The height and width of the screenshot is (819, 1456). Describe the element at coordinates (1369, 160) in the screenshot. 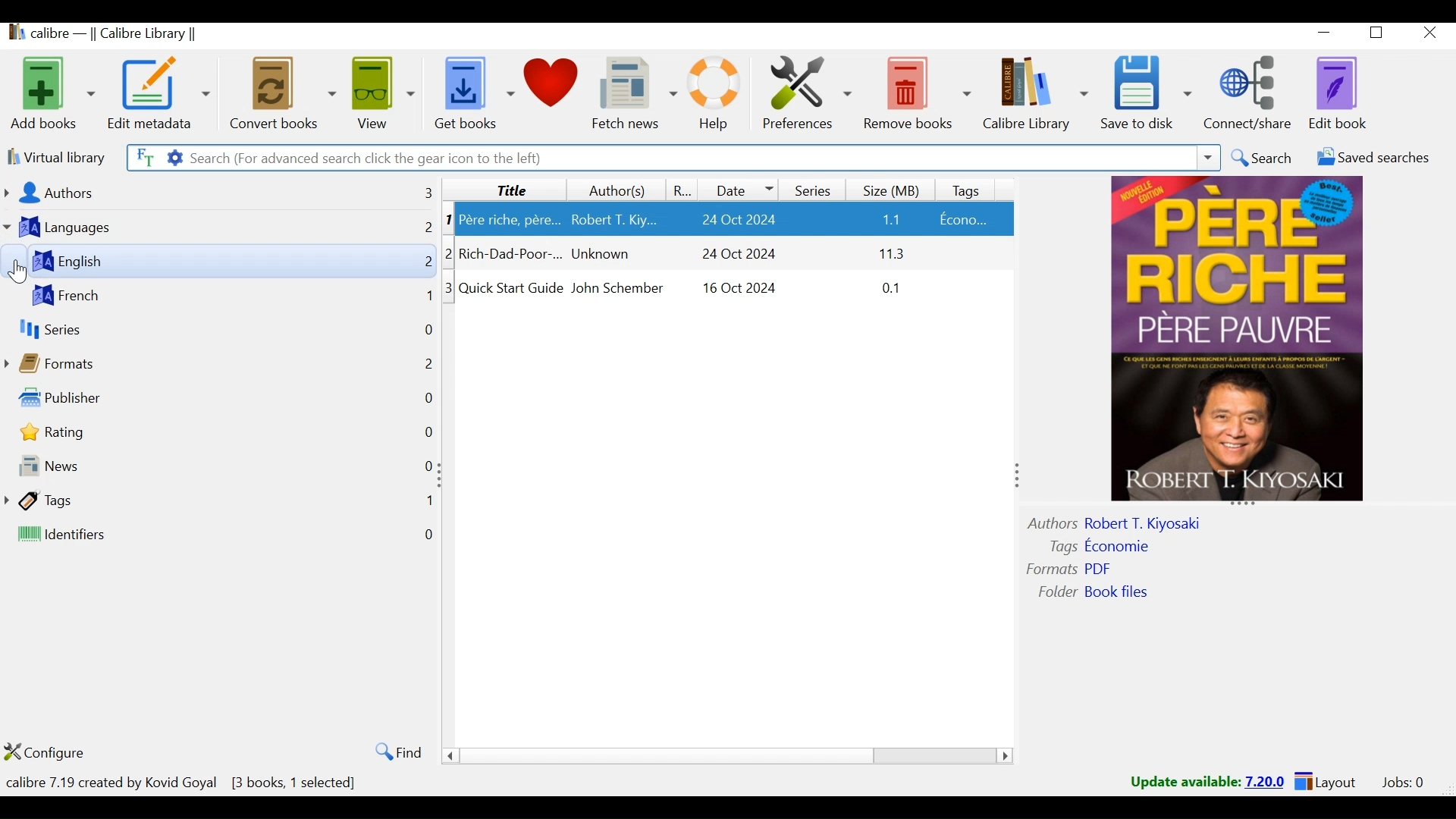

I see `SAved Searches` at that location.